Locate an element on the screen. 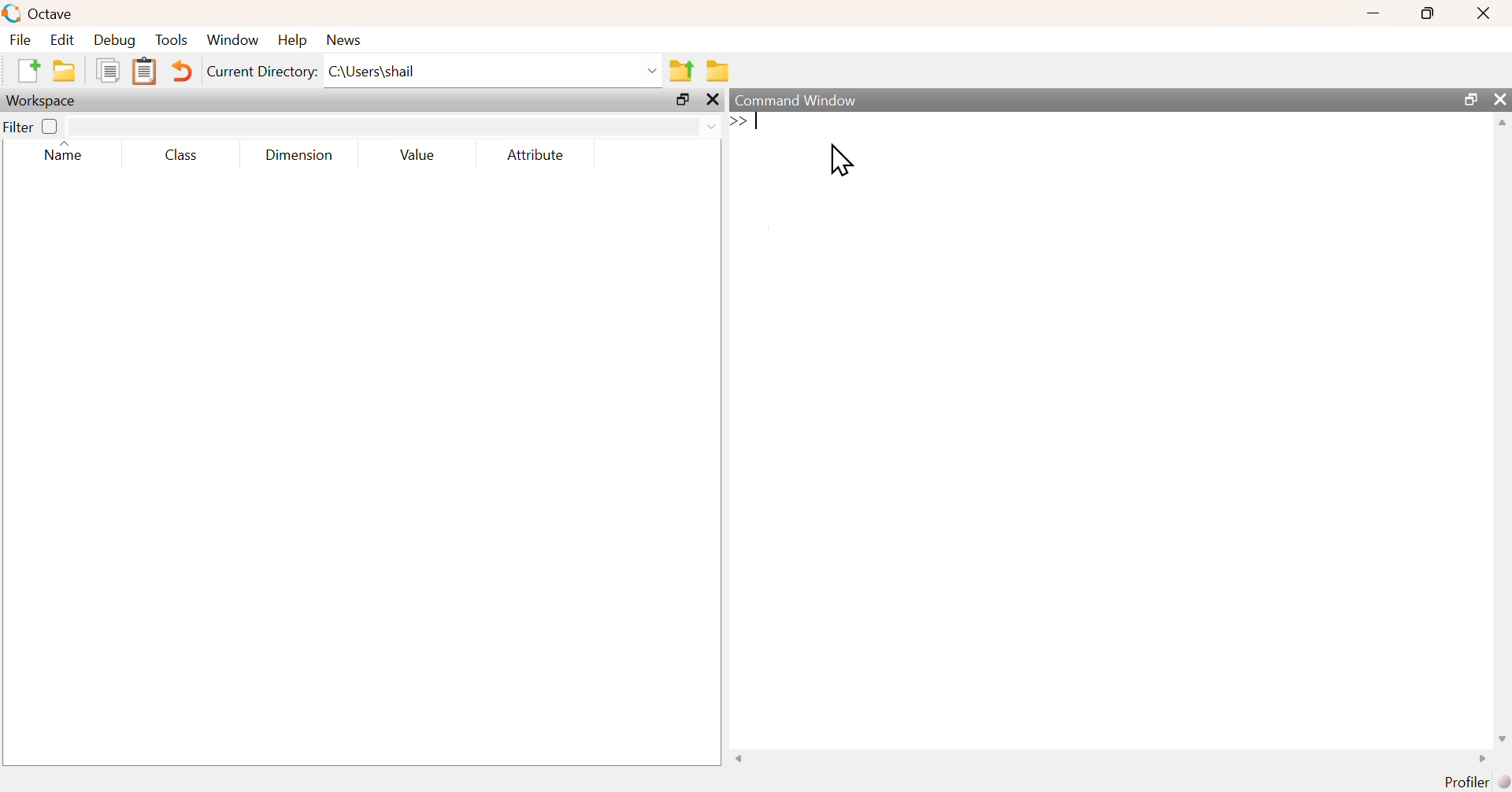 The width and height of the screenshot is (1512, 792). search box is located at coordinates (377, 127).